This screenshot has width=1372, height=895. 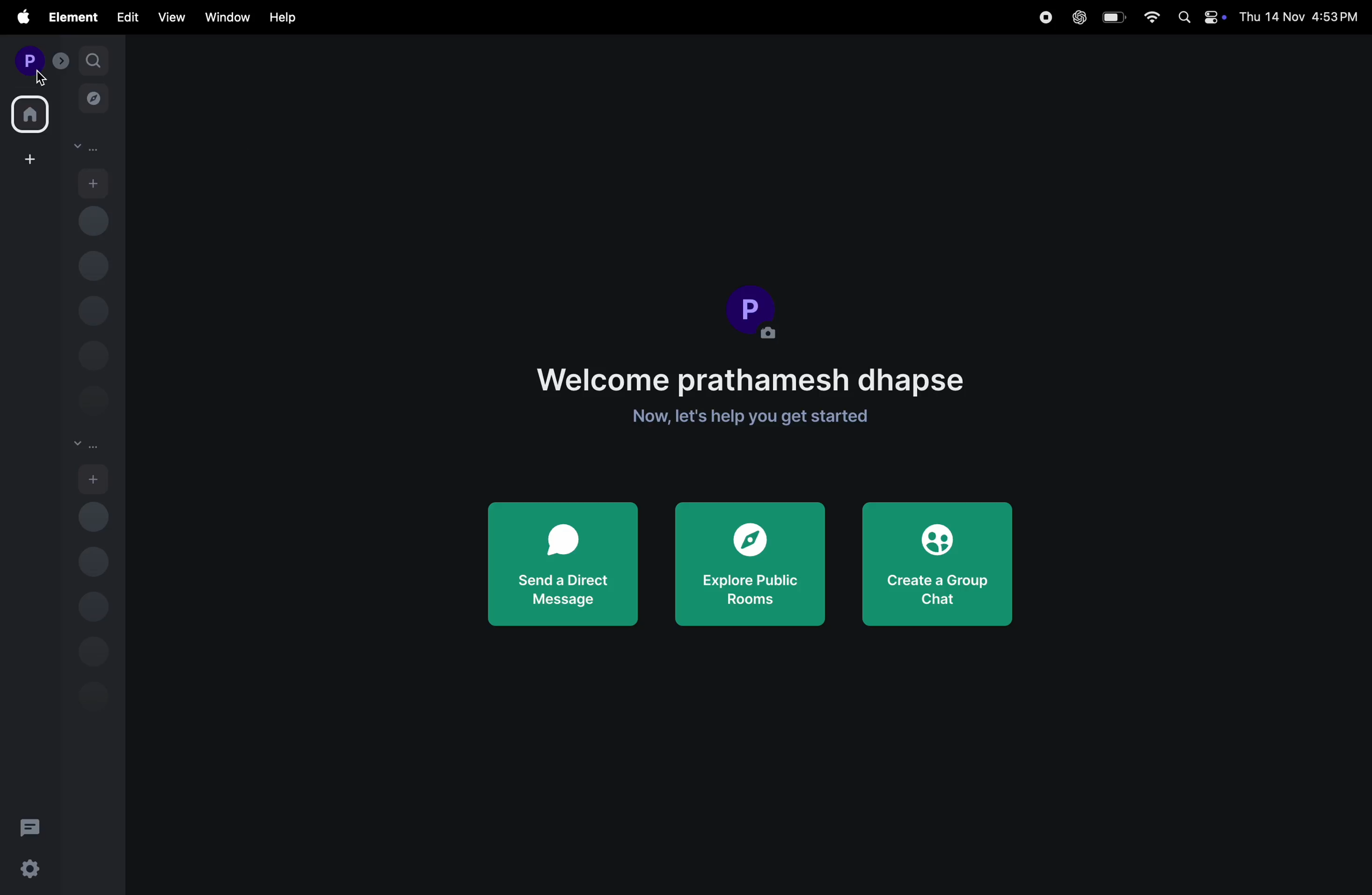 I want to click on apple menu, so click(x=20, y=17).